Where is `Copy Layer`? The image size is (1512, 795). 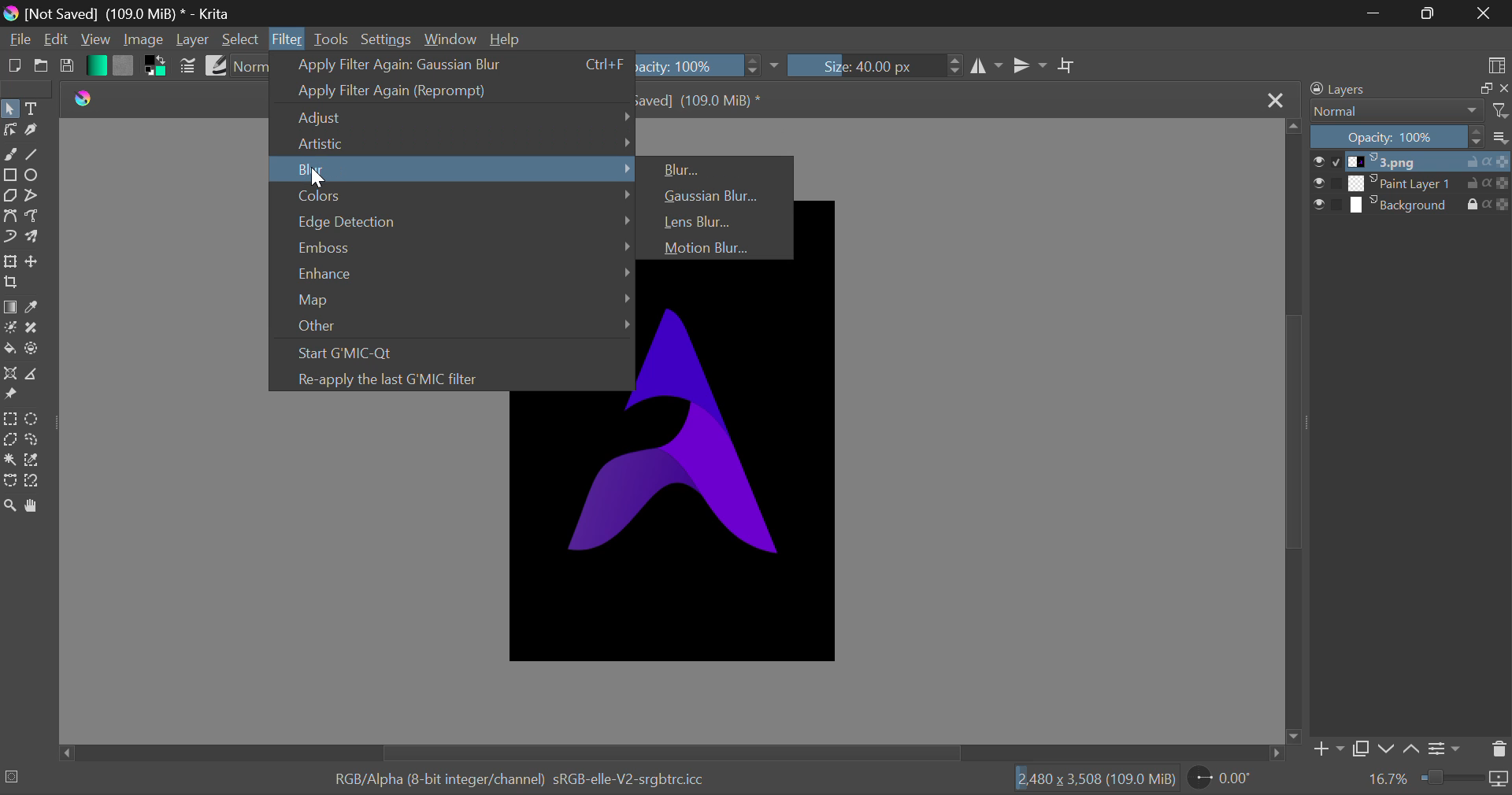
Copy Layer is located at coordinates (1361, 749).